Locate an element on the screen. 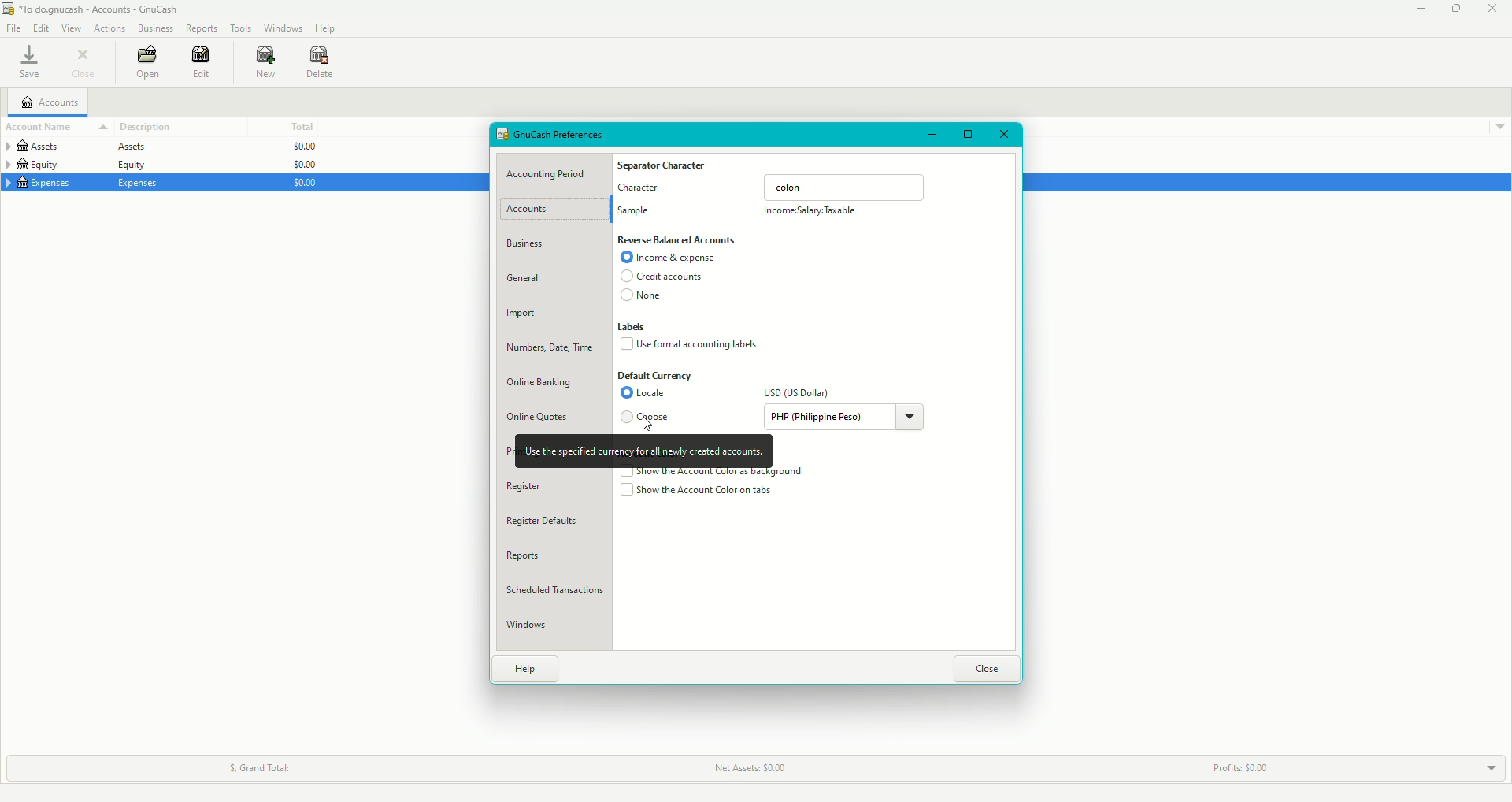 Image resolution: width=1512 pixels, height=802 pixels. Edit is located at coordinates (39, 28).